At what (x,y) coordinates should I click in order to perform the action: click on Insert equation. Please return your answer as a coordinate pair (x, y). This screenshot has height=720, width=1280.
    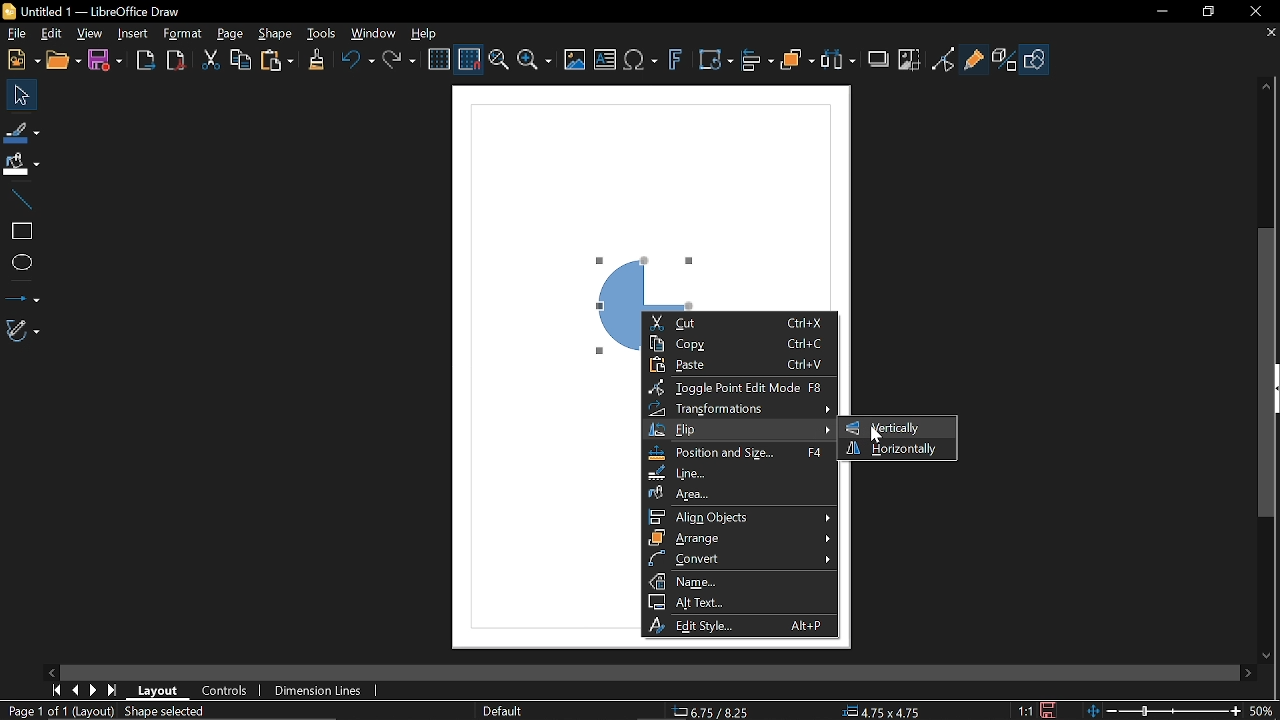
    Looking at the image, I should click on (641, 61).